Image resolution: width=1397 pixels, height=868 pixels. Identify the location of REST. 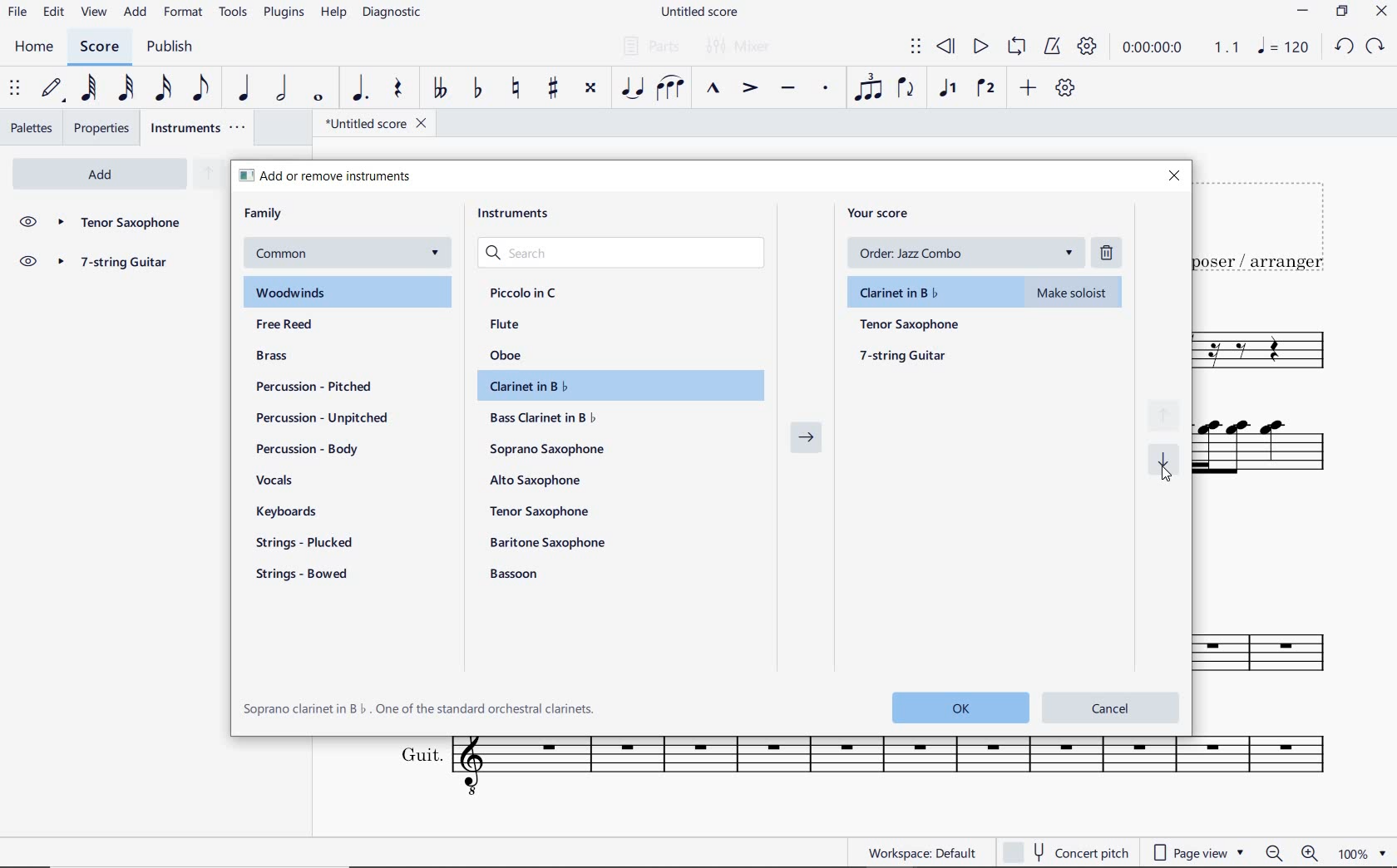
(397, 90).